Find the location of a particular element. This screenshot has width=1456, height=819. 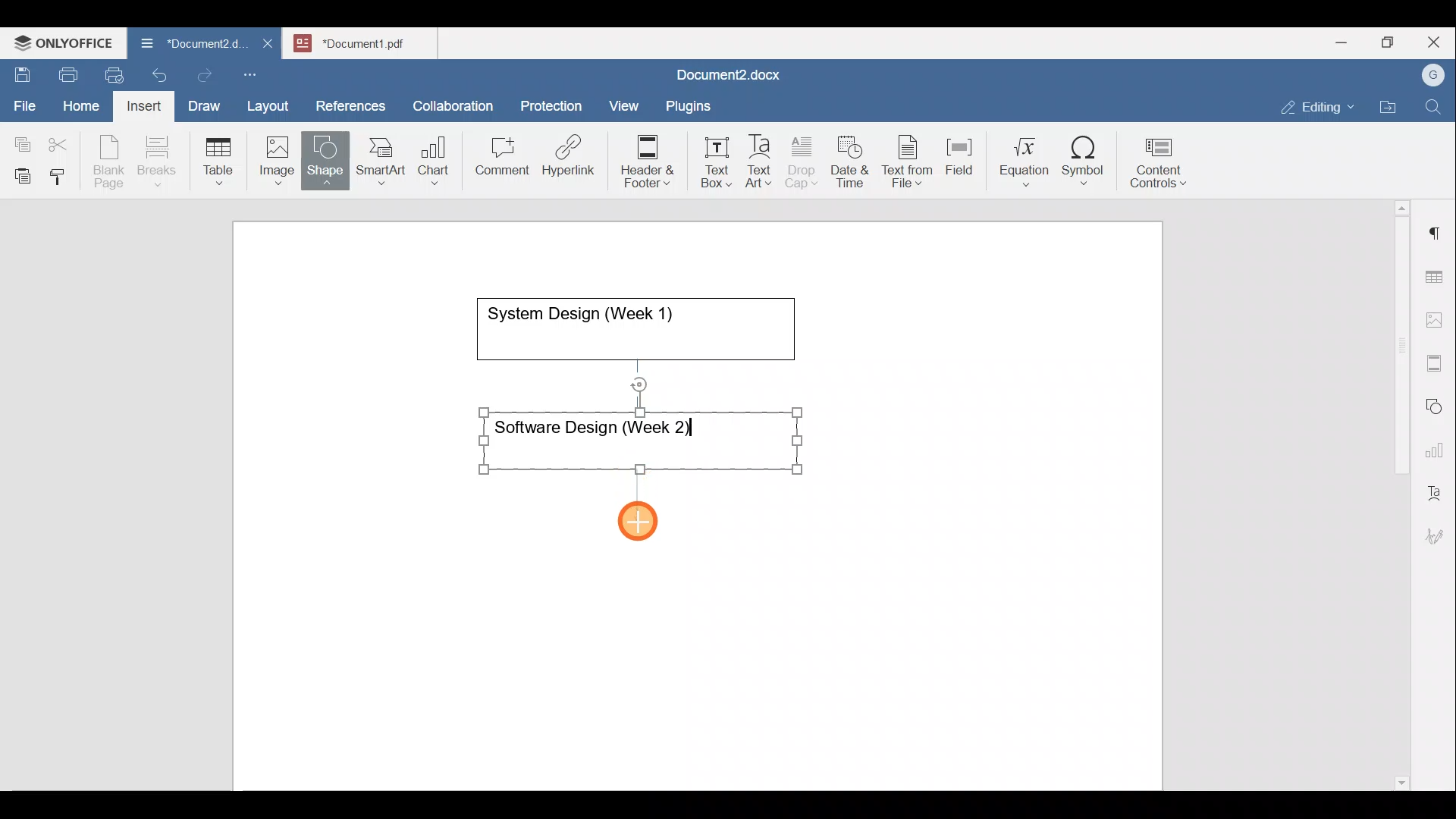

Field is located at coordinates (959, 154).